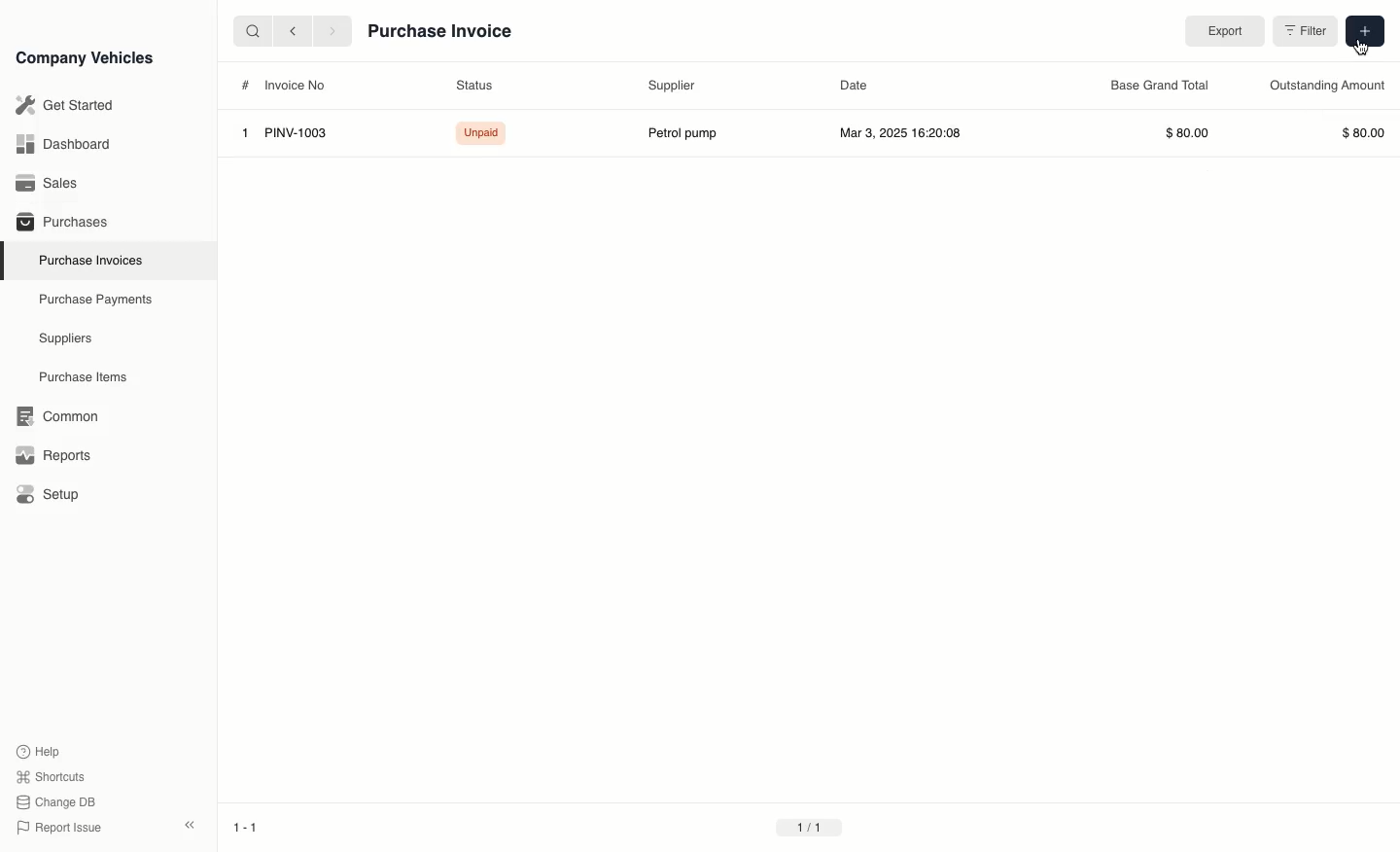  What do you see at coordinates (476, 134) in the screenshot?
I see `Unpaid` at bounding box center [476, 134].